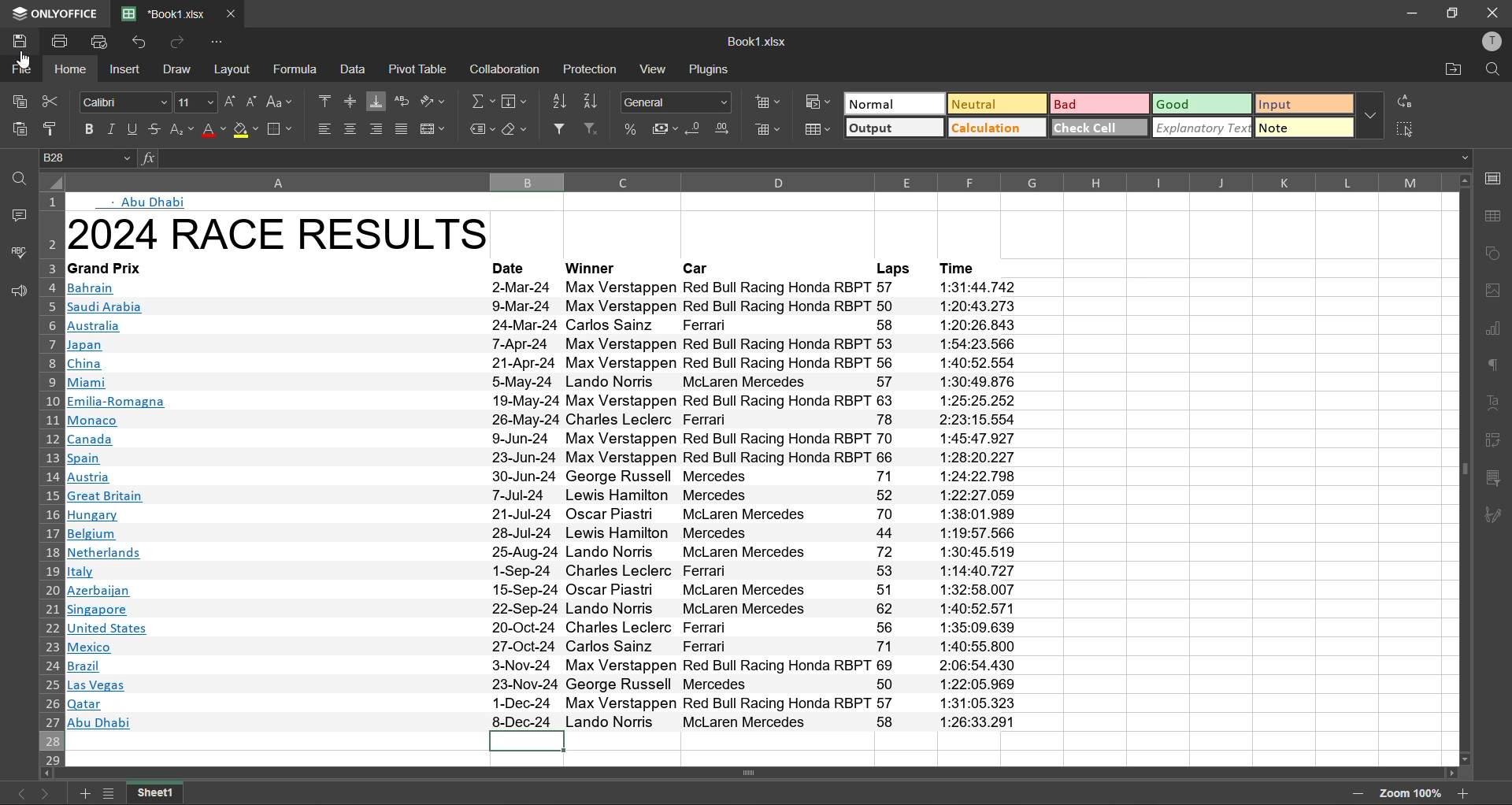 Image resolution: width=1512 pixels, height=805 pixels. What do you see at coordinates (1494, 12) in the screenshot?
I see `close` at bounding box center [1494, 12].